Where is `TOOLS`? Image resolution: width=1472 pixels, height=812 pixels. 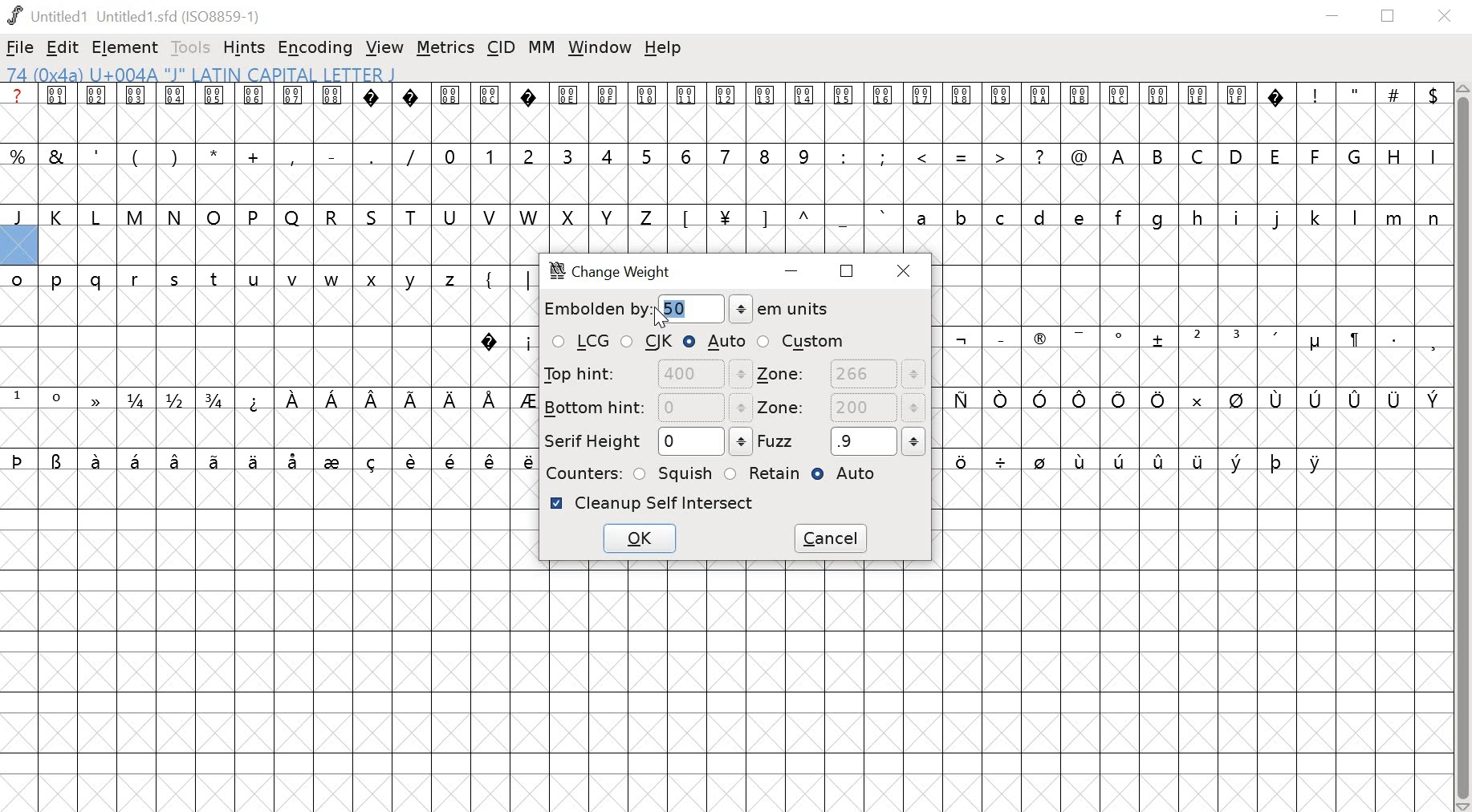 TOOLS is located at coordinates (193, 47).